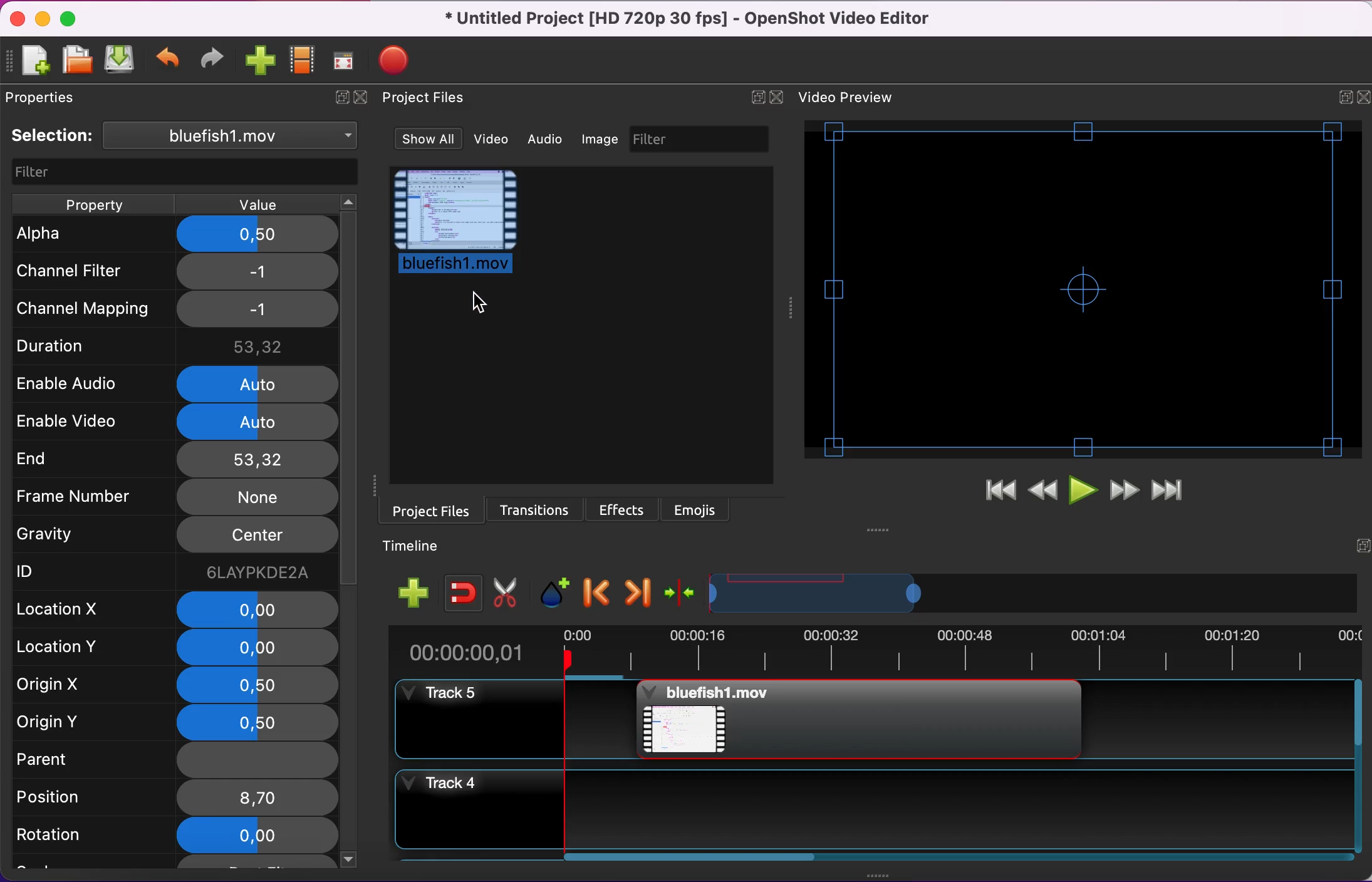  Describe the element at coordinates (71, 724) in the screenshot. I see `origin y` at that location.